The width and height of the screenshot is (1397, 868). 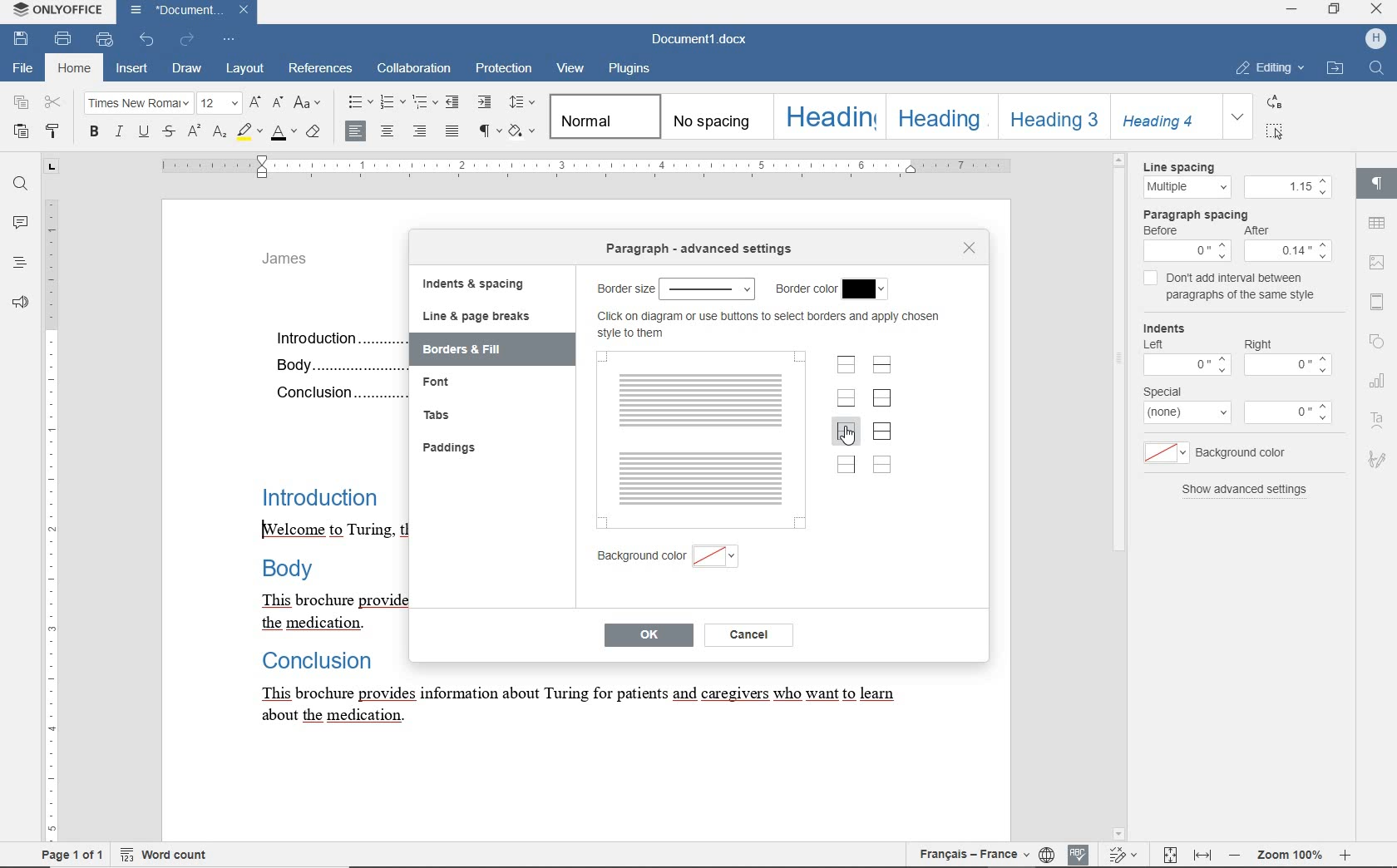 What do you see at coordinates (1379, 303) in the screenshot?
I see `header and footer` at bounding box center [1379, 303].